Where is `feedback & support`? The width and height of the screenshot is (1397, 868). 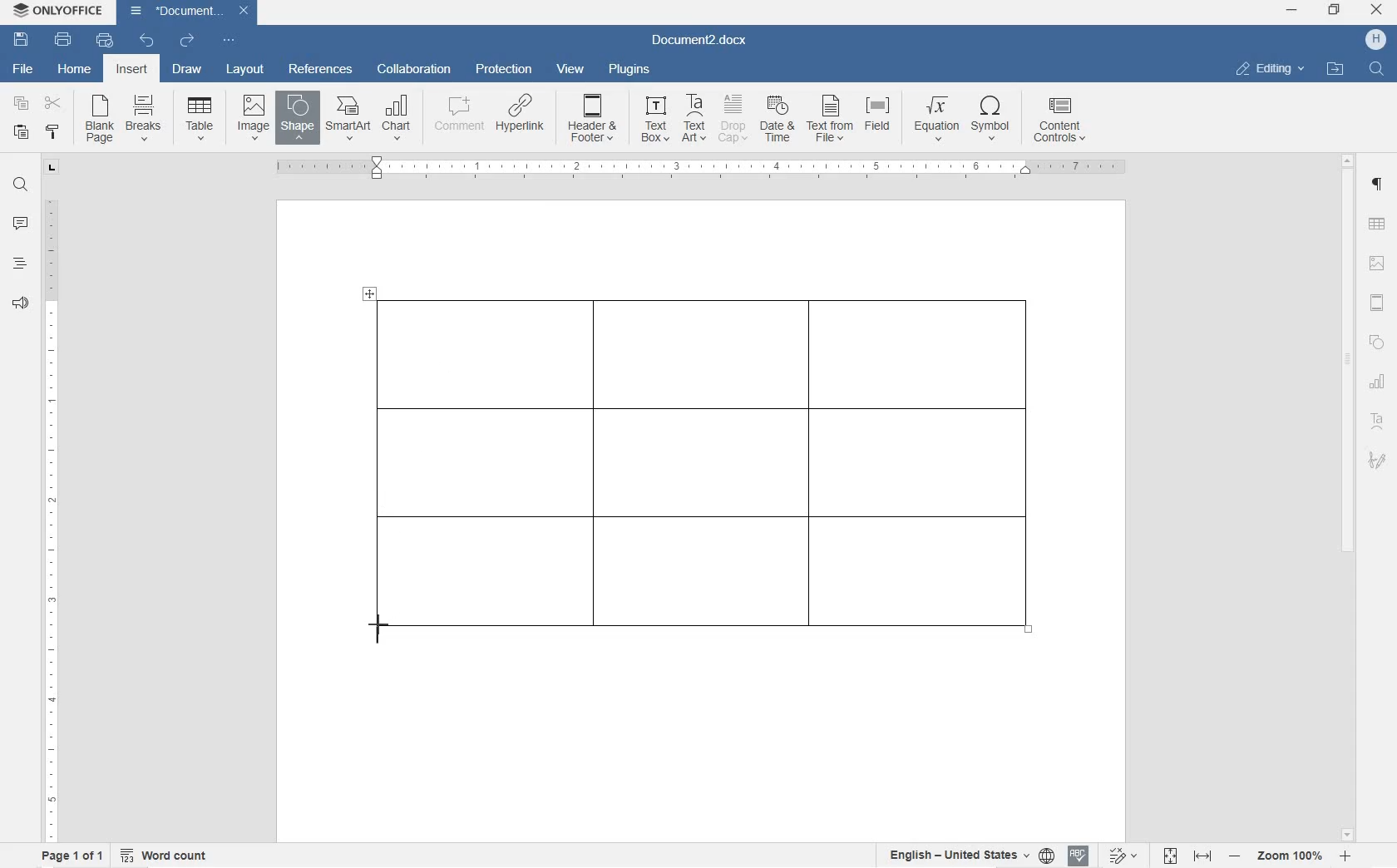
feedback & support is located at coordinates (20, 305).